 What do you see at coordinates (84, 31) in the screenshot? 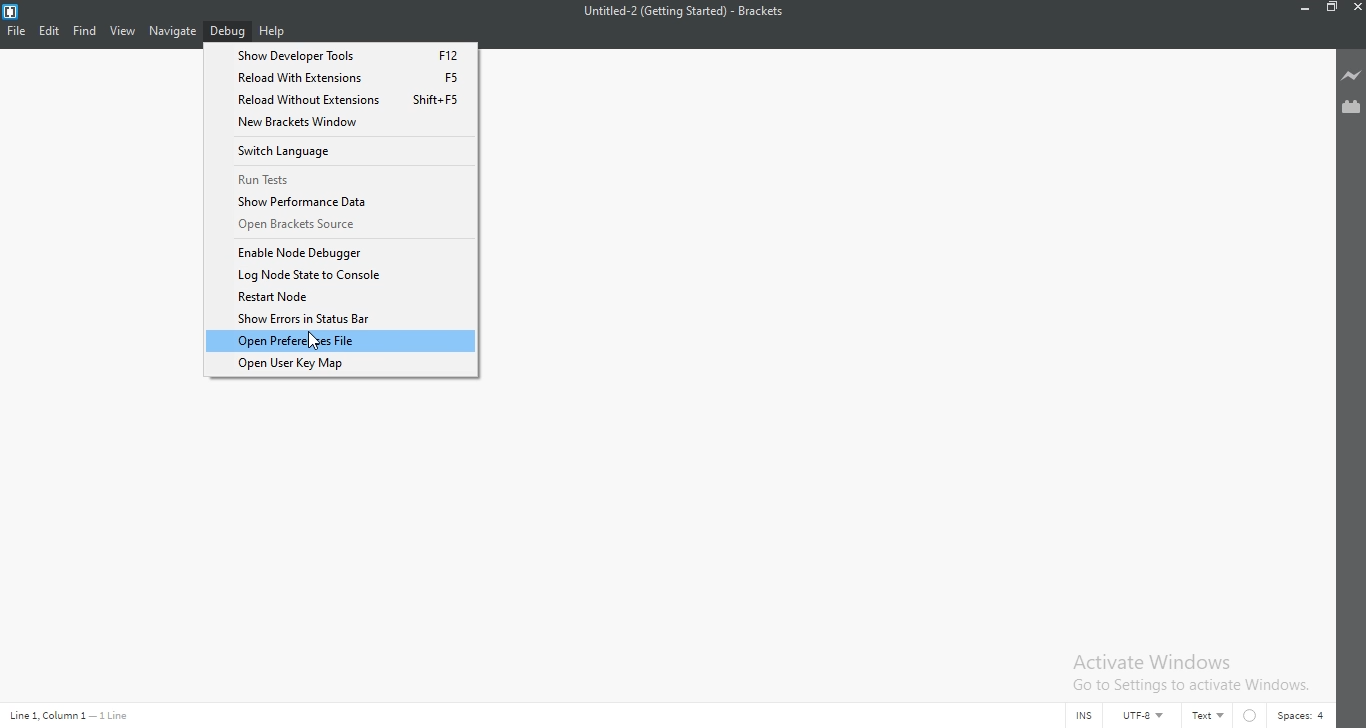
I see `Find` at bounding box center [84, 31].